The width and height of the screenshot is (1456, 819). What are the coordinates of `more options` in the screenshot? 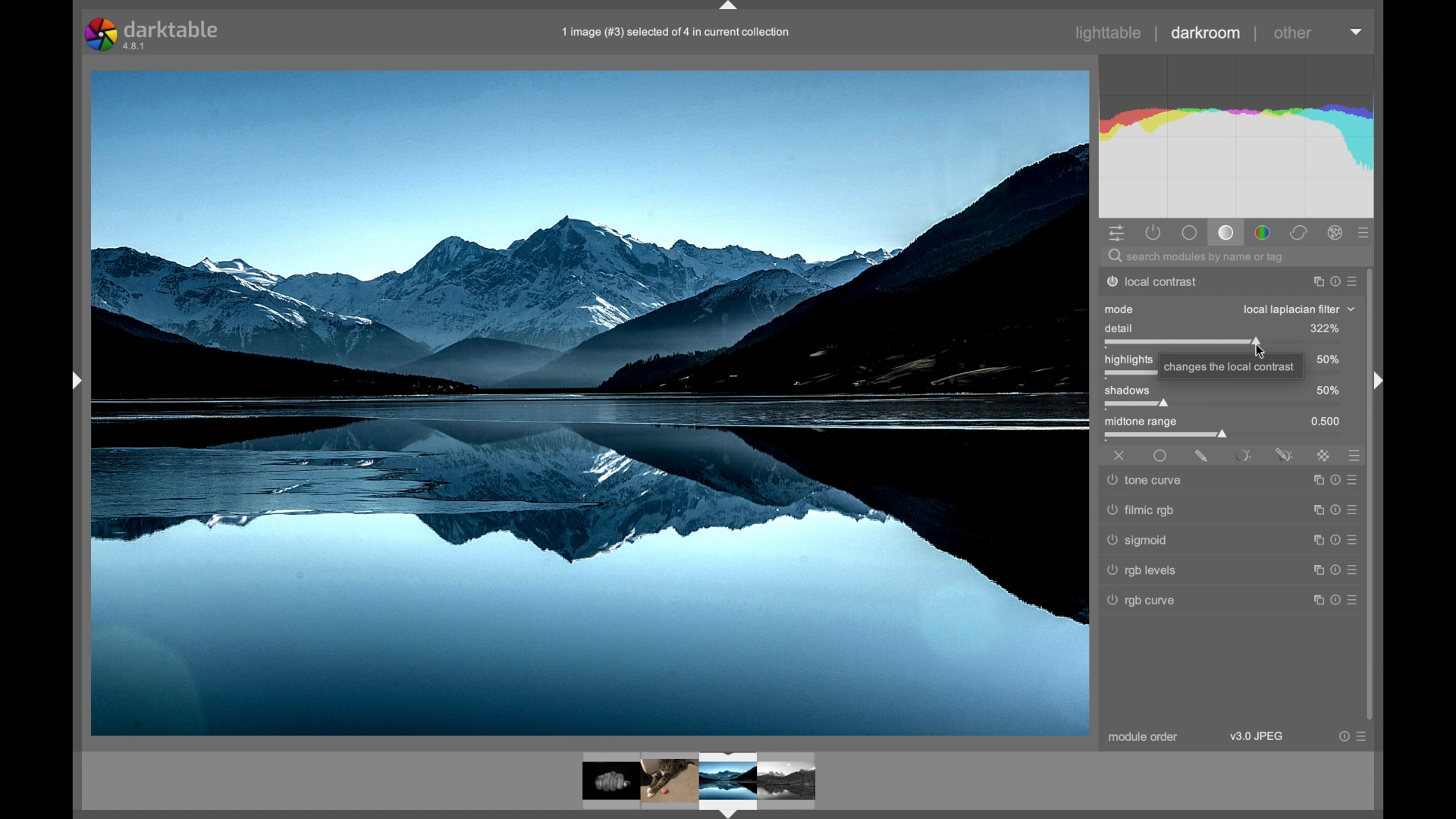 It's located at (1335, 570).